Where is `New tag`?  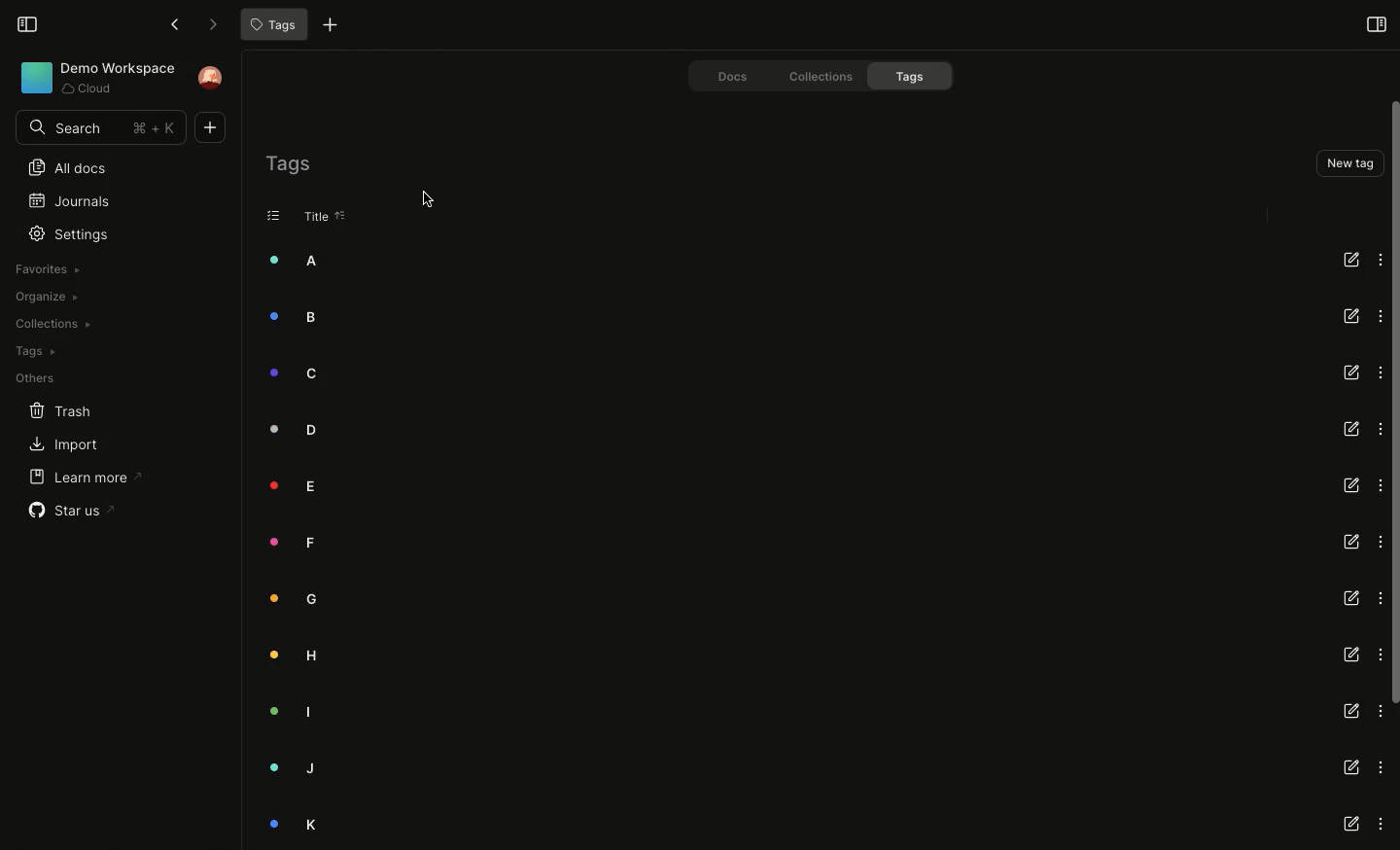 New tag is located at coordinates (1347, 162).